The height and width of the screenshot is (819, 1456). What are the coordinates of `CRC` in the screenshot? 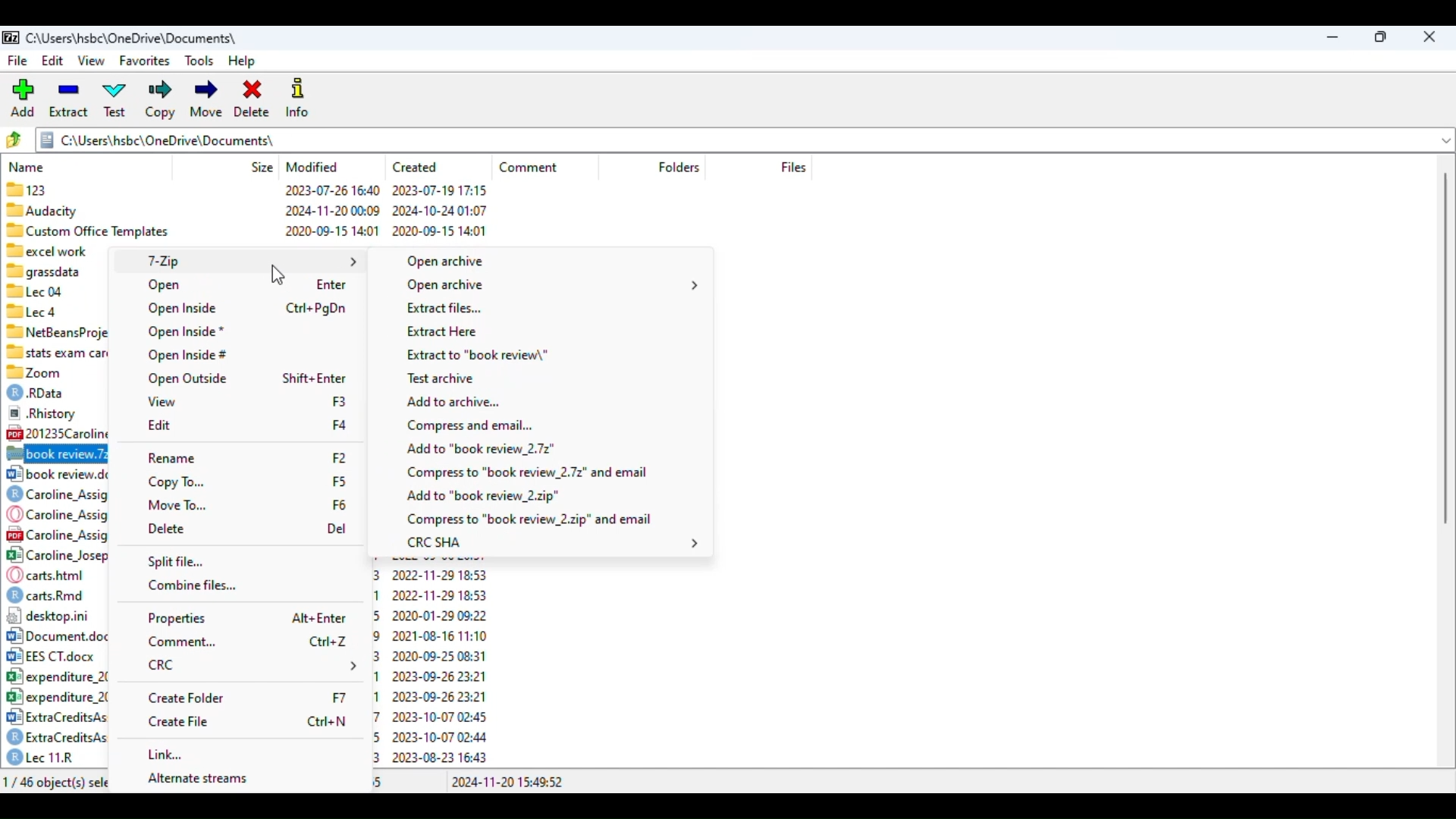 It's located at (253, 664).